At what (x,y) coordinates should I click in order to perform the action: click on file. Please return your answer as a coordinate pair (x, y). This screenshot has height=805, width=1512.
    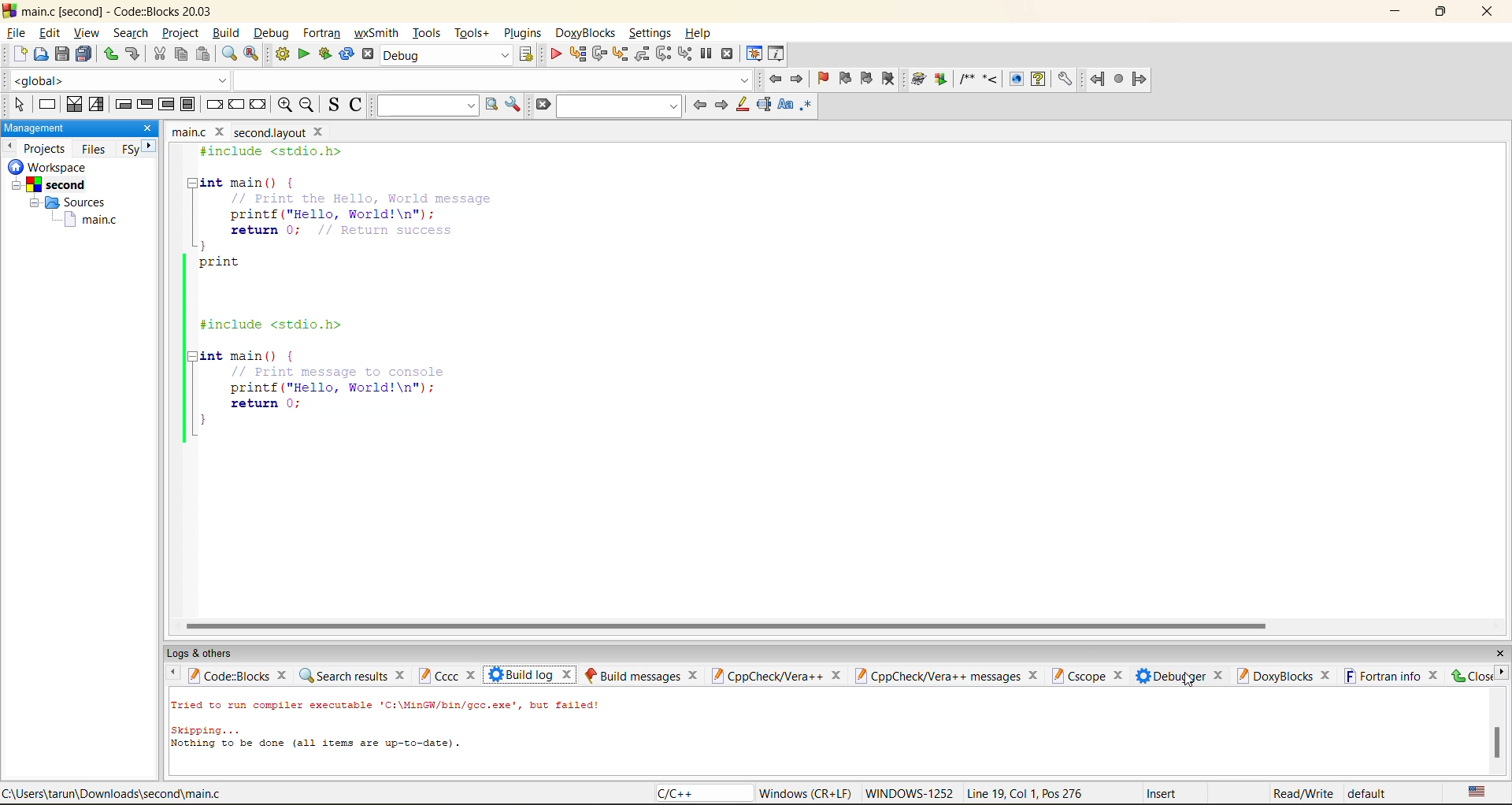
    Looking at the image, I should click on (17, 31).